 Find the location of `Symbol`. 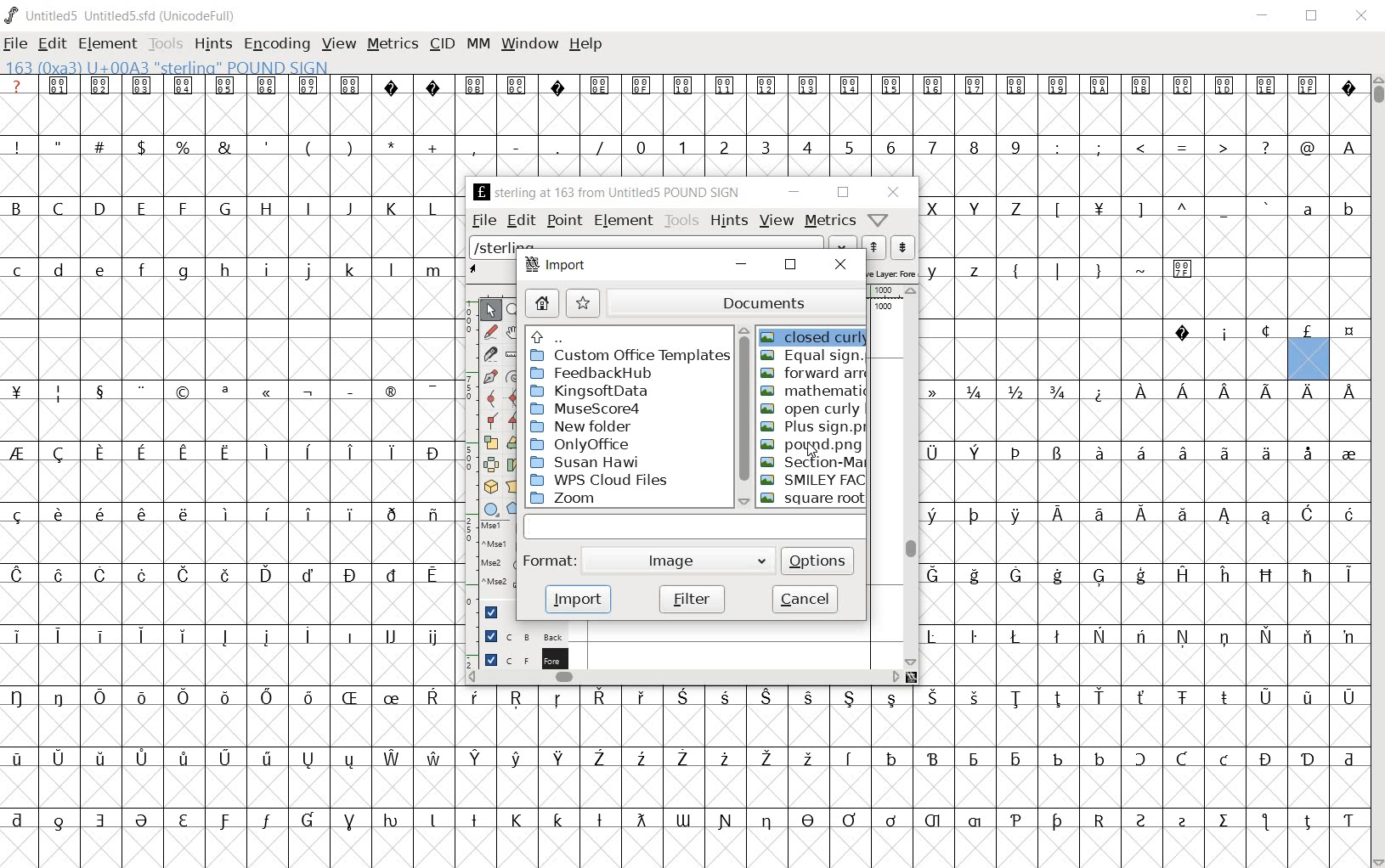

Symbol is located at coordinates (390, 513).